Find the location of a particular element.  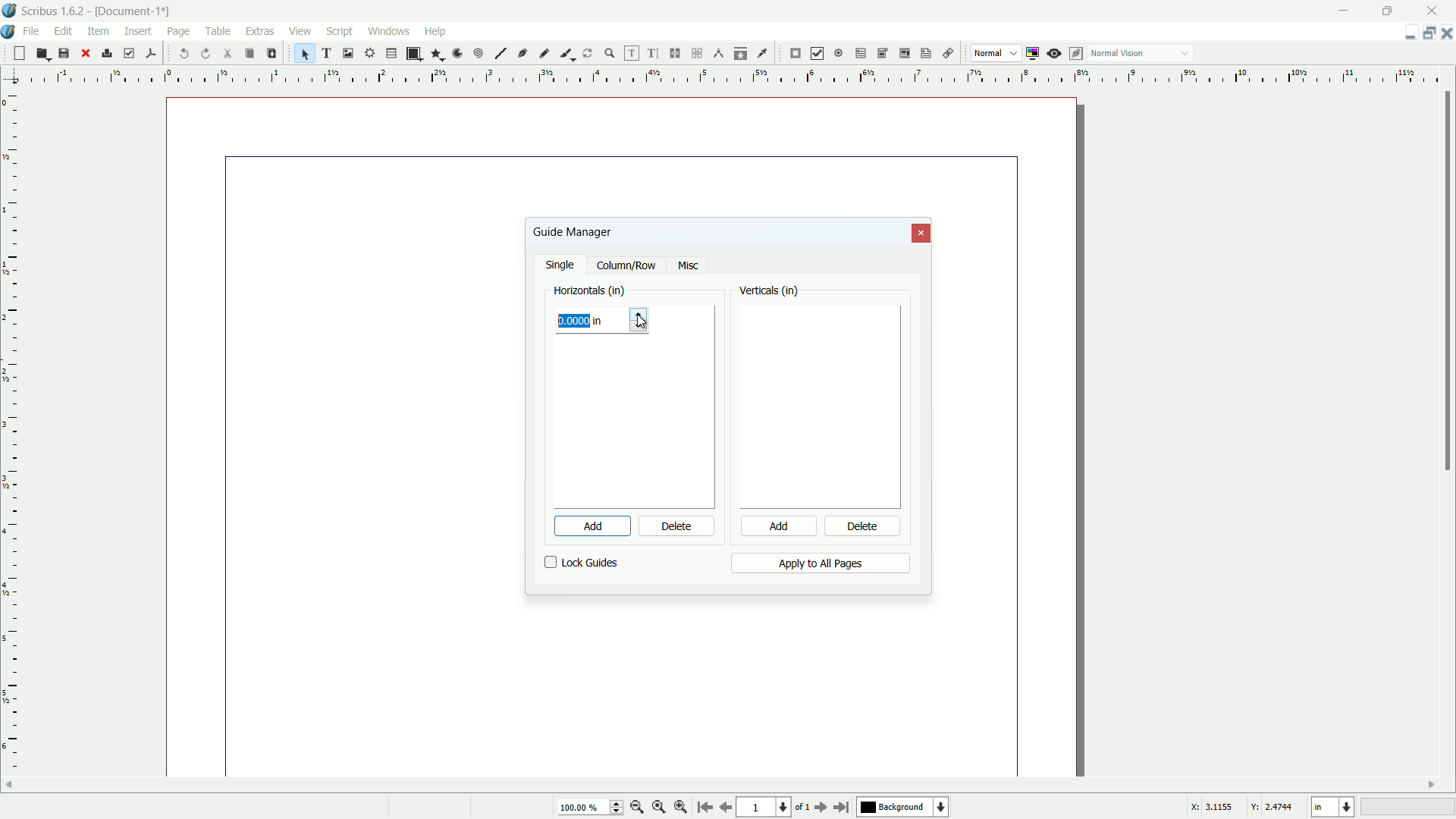

close is located at coordinates (85, 53).